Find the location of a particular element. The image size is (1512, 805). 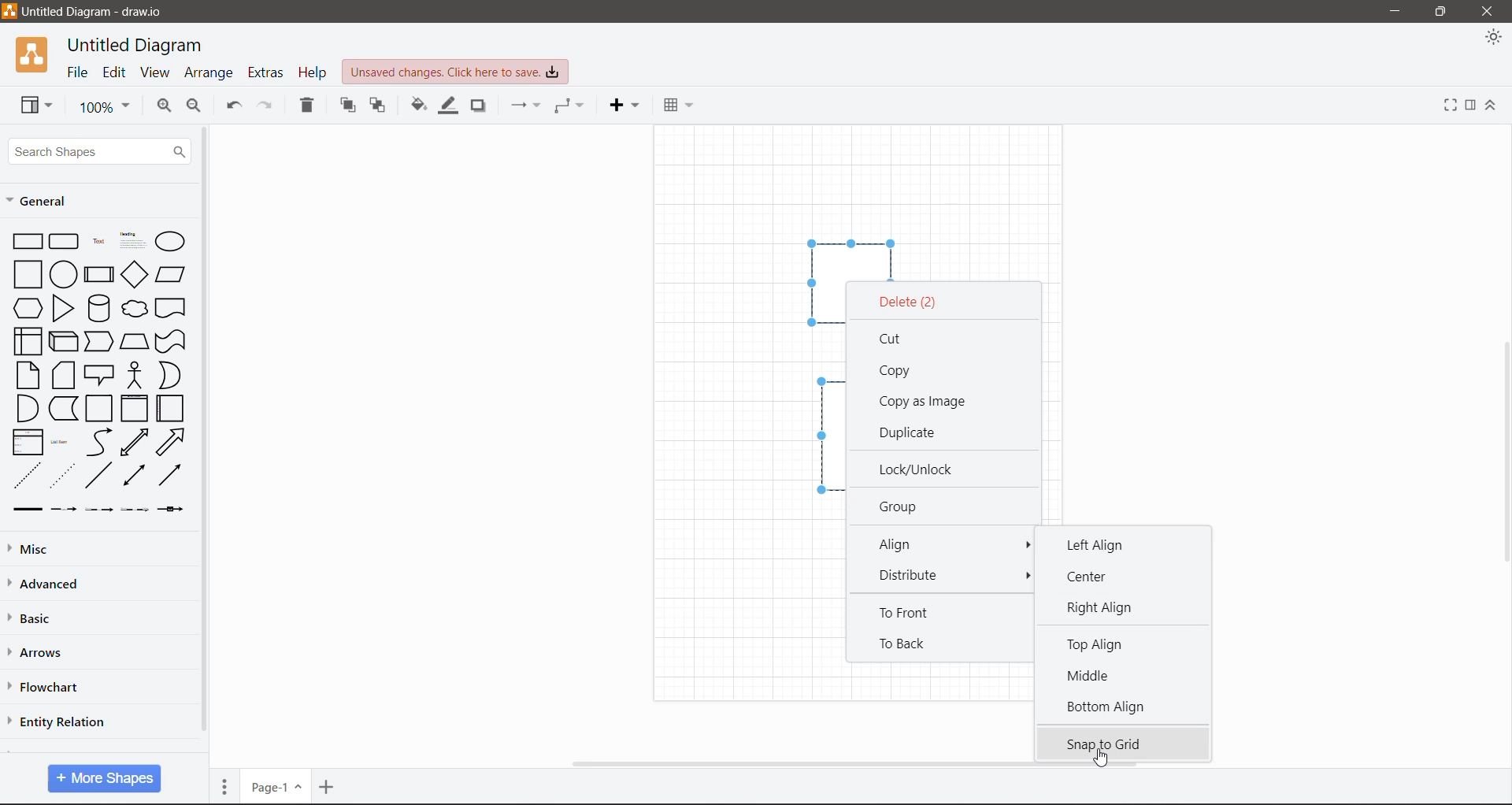

Advanced is located at coordinates (54, 584).